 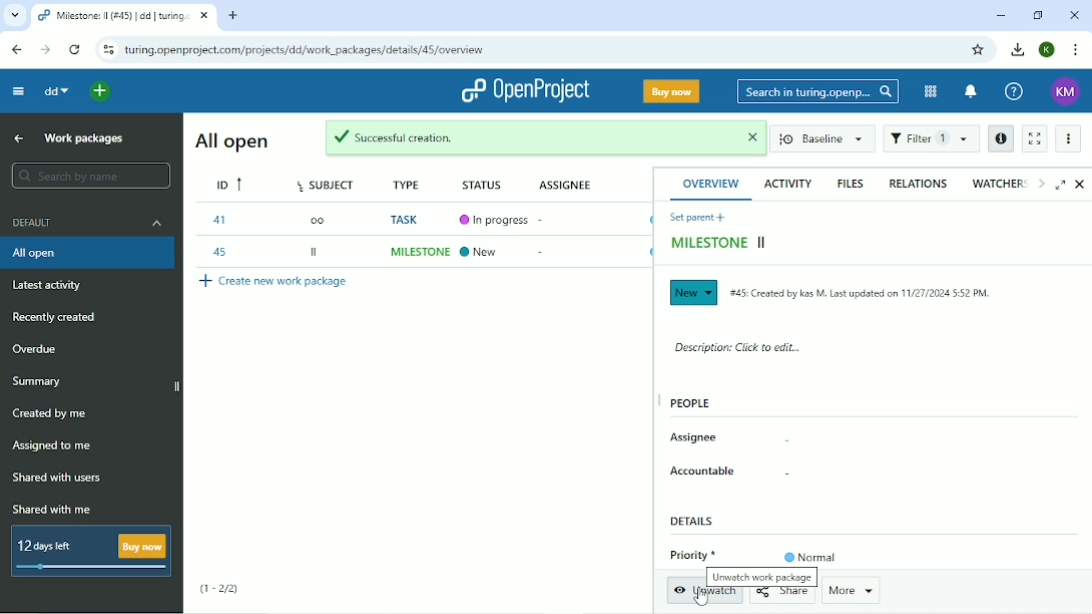 What do you see at coordinates (57, 479) in the screenshot?
I see `Shared with users` at bounding box center [57, 479].